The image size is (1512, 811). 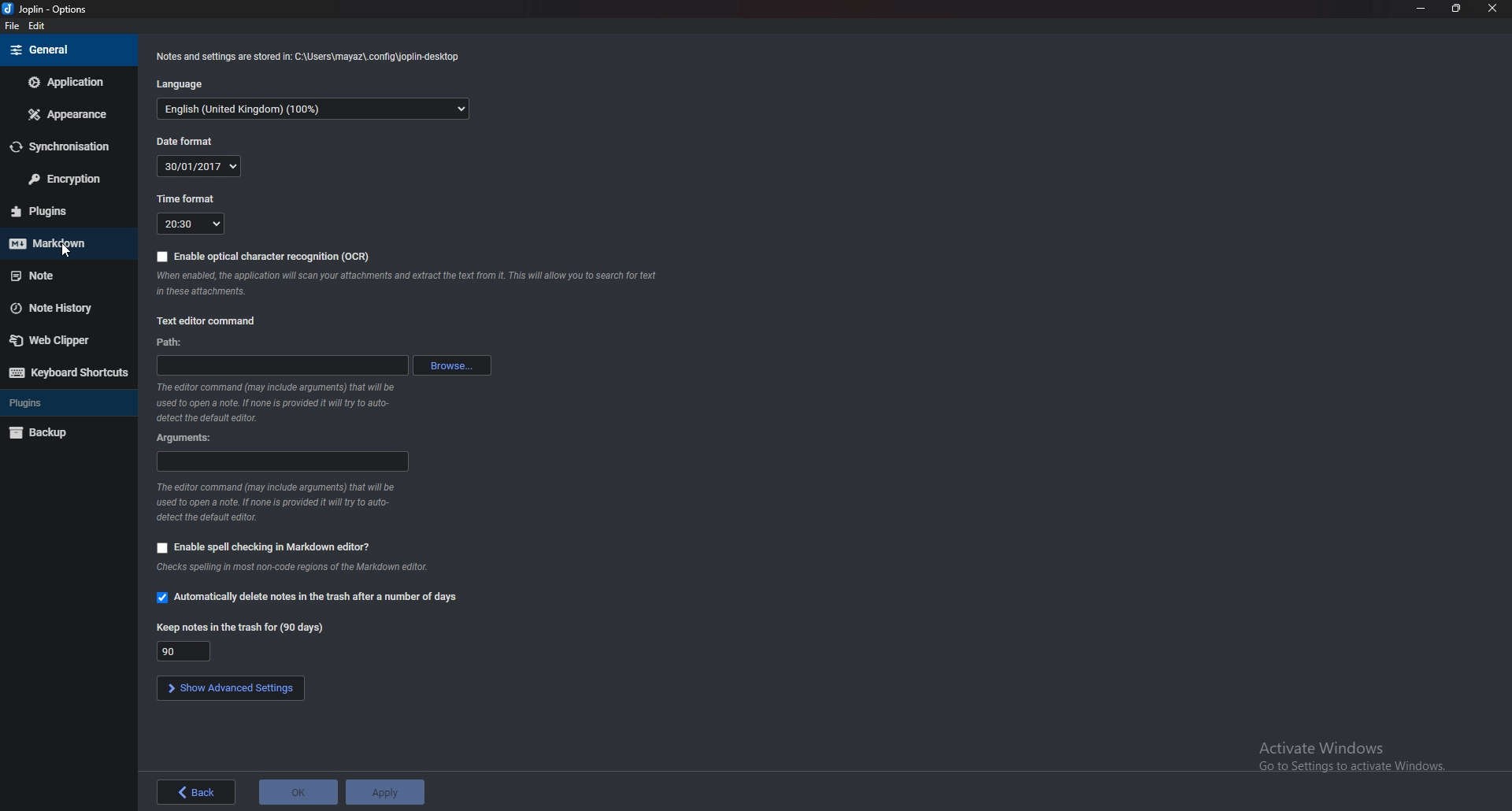 What do you see at coordinates (66, 432) in the screenshot?
I see `backup` at bounding box center [66, 432].